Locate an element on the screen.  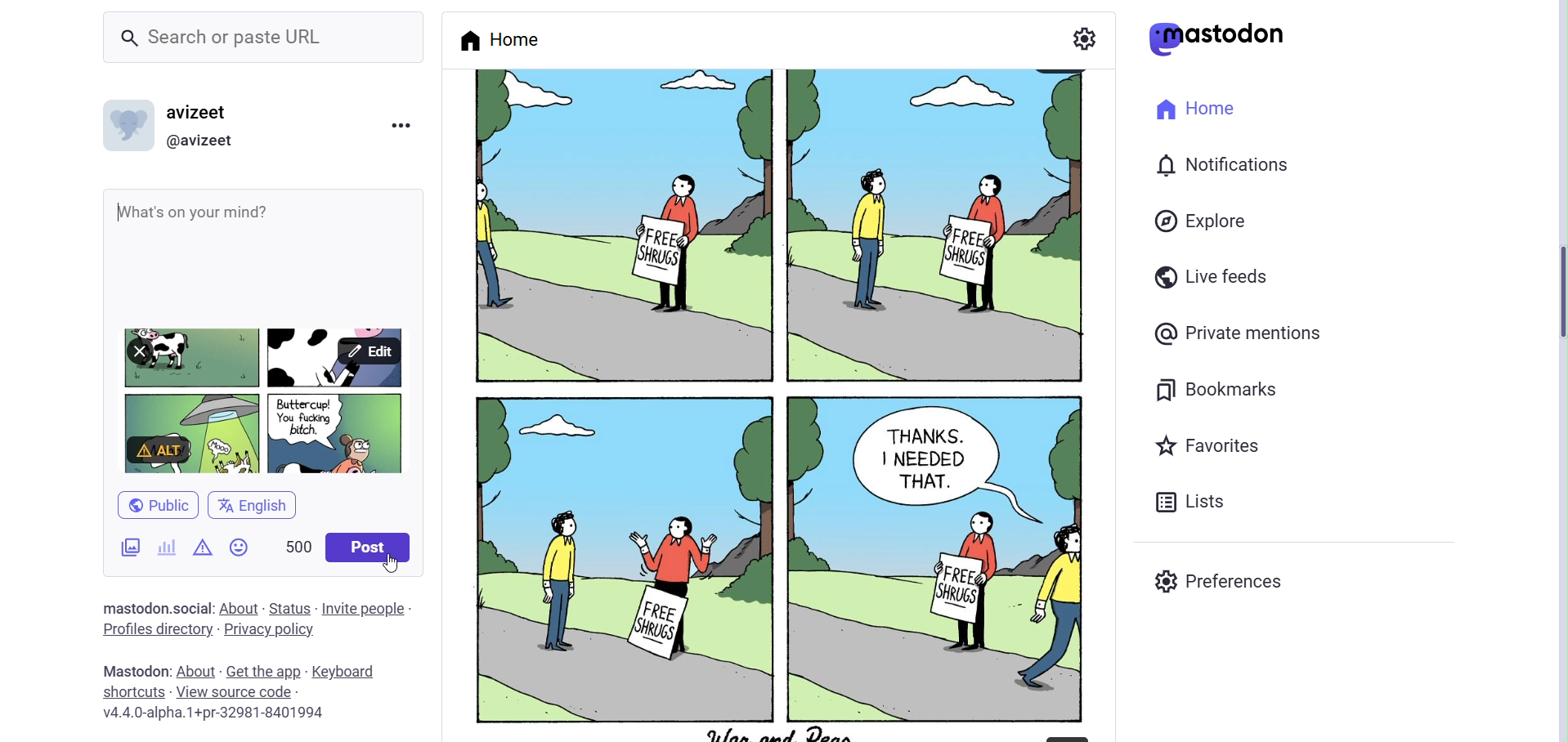
Another Post is located at coordinates (774, 402).